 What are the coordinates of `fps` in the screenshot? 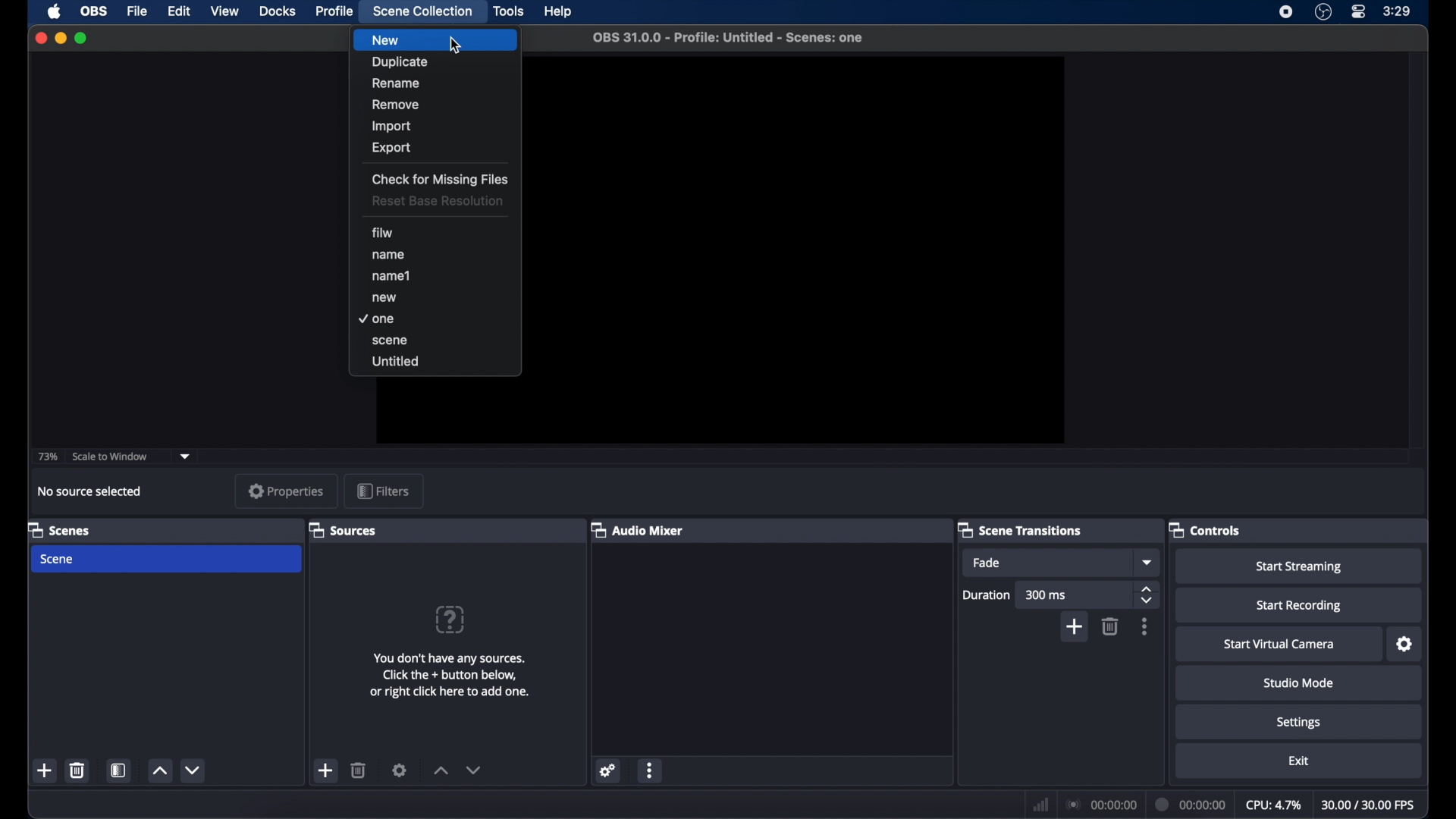 It's located at (1370, 805).